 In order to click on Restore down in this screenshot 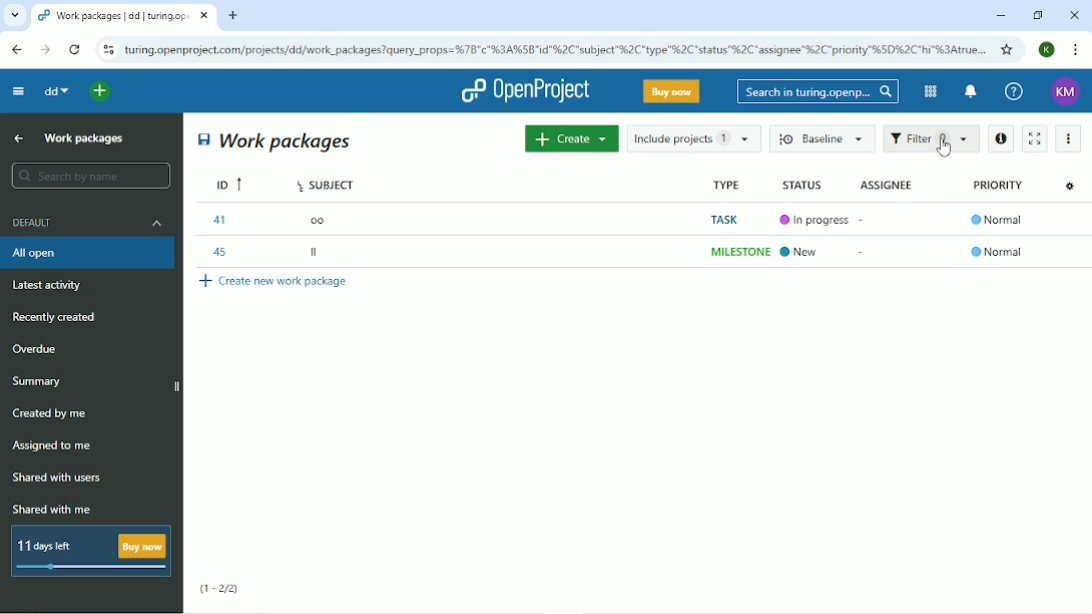, I will do `click(1037, 15)`.